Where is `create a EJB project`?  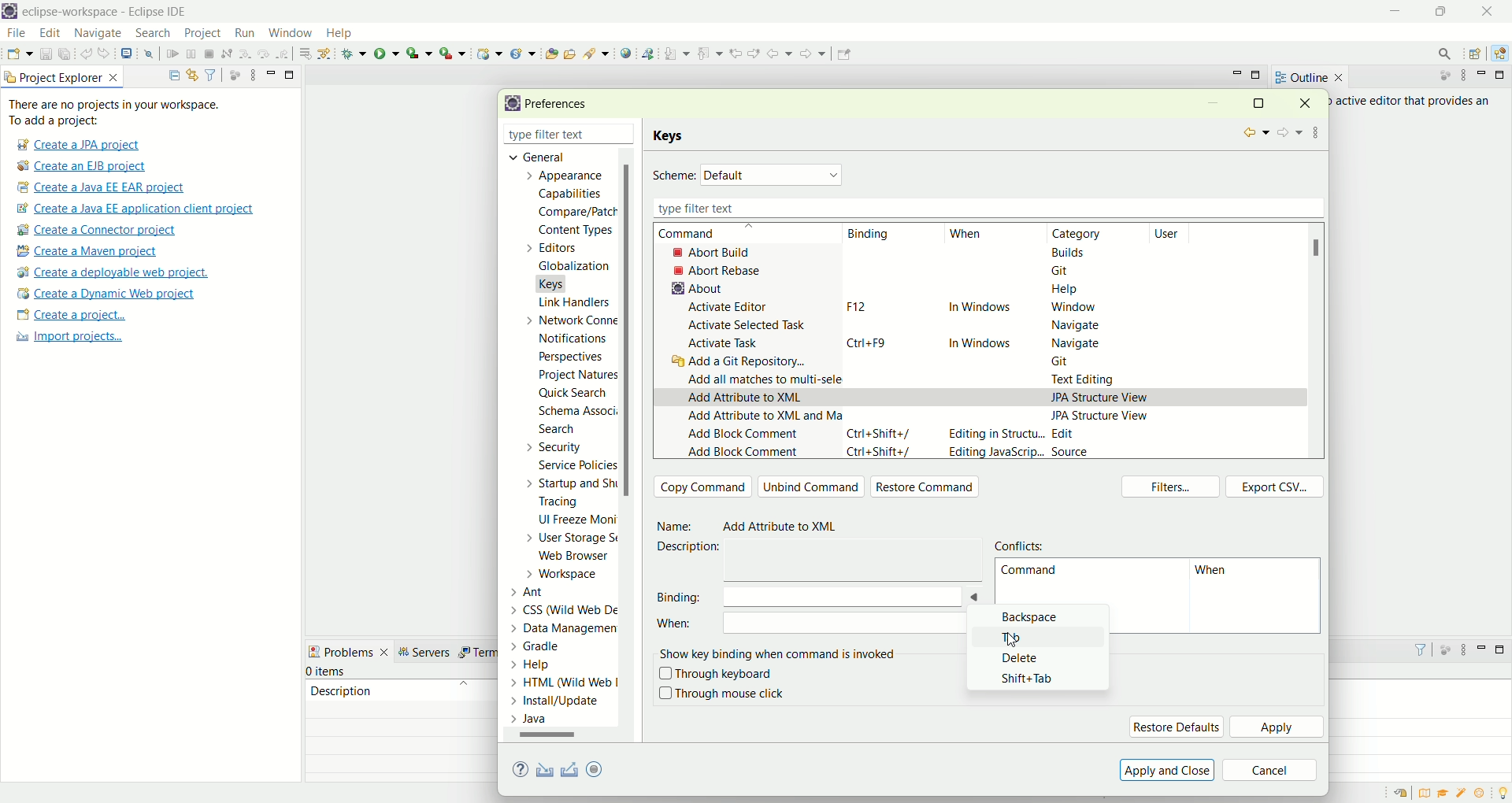 create a EJB project is located at coordinates (83, 167).